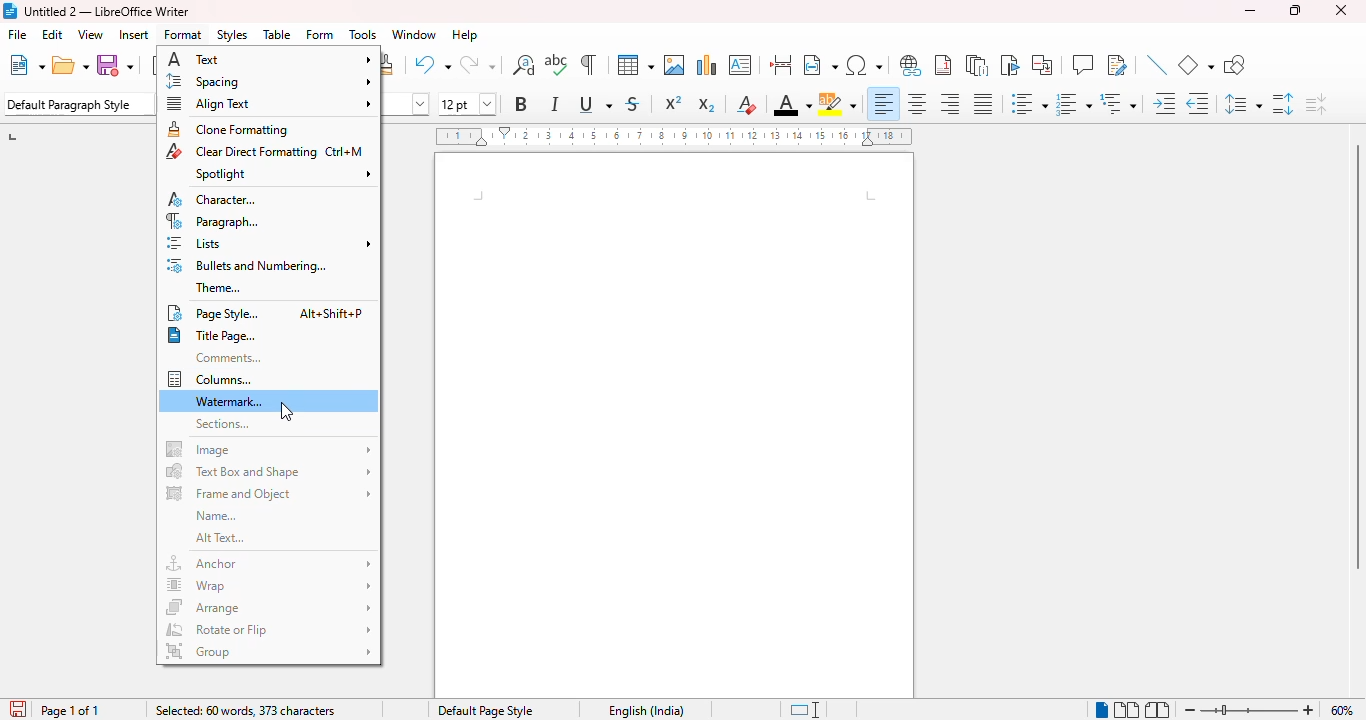  Describe the element at coordinates (217, 515) in the screenshot. I see `name` at that location.